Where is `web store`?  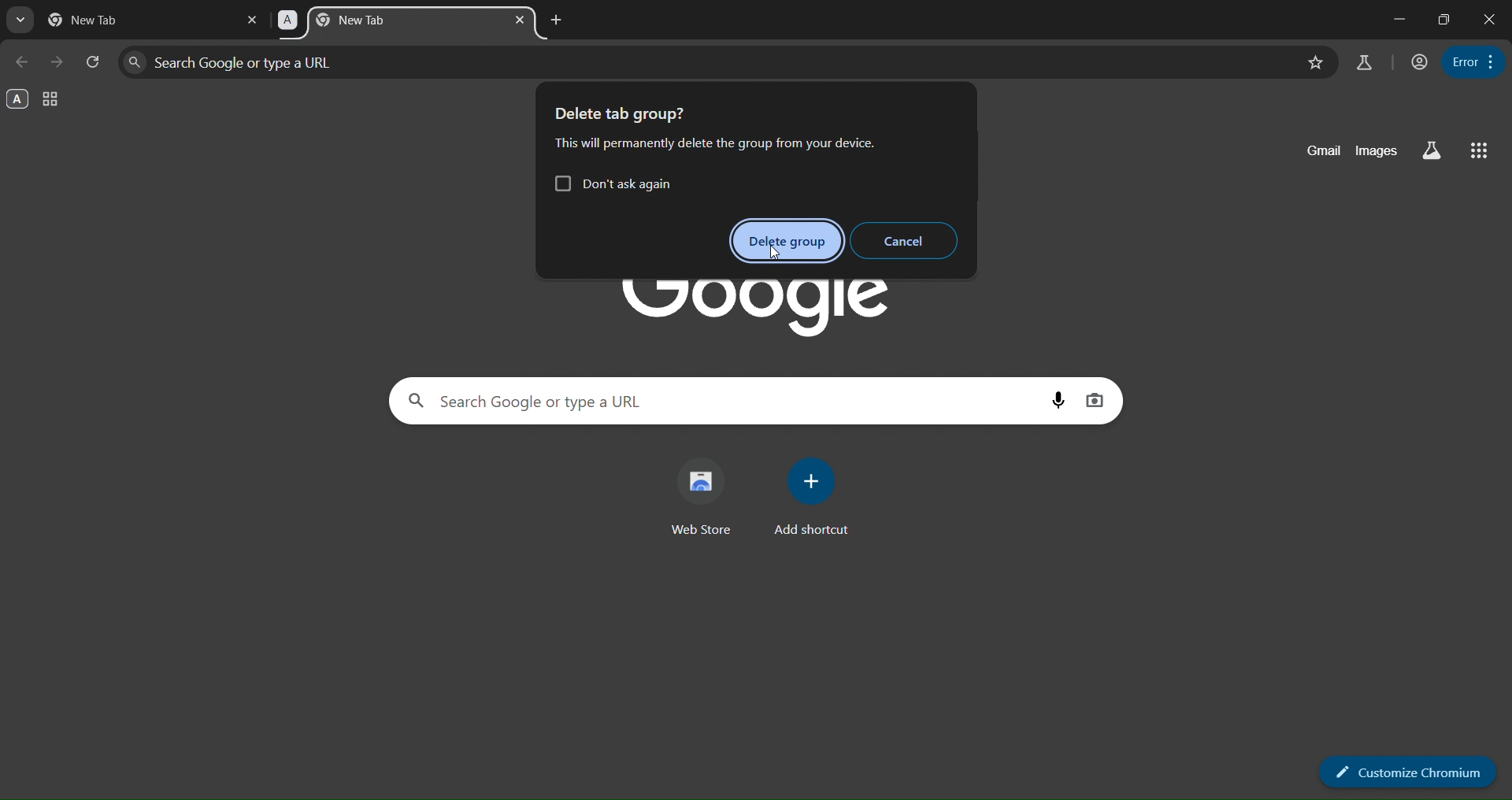
web store is located at coordinates (707, 498).